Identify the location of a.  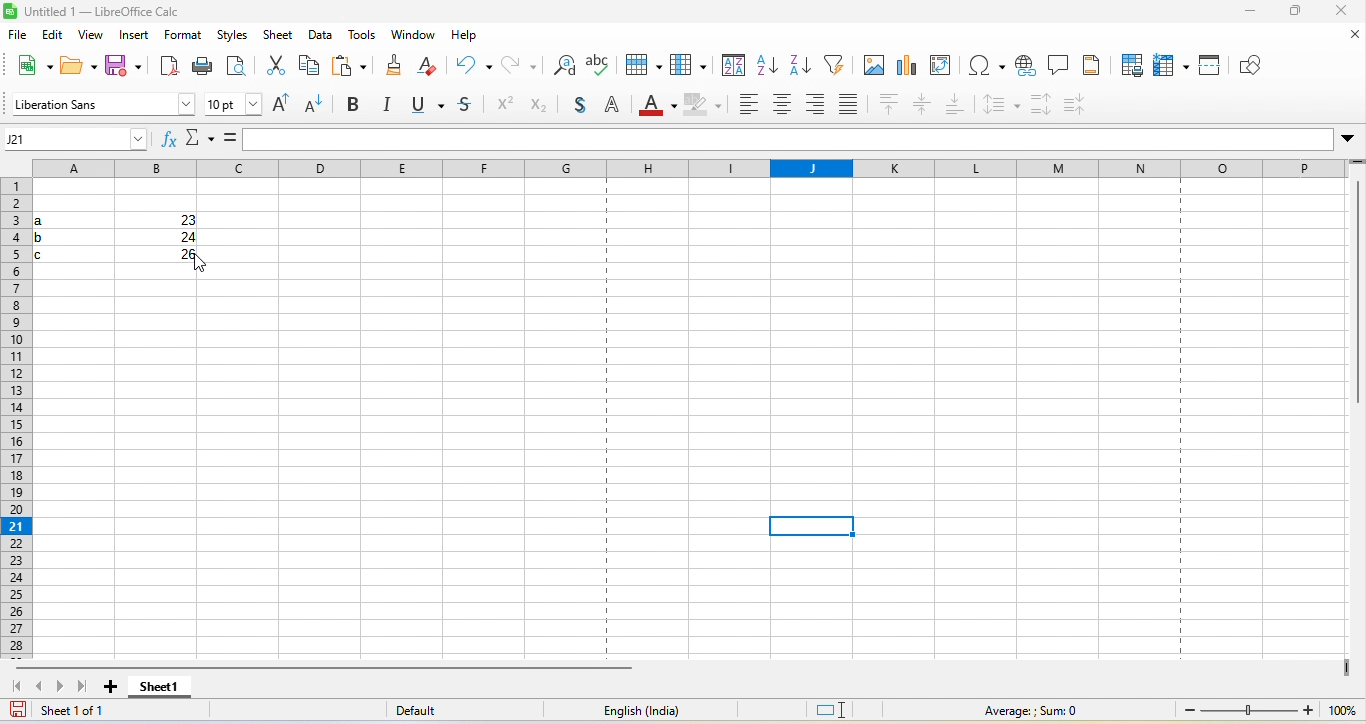
(52, 217).